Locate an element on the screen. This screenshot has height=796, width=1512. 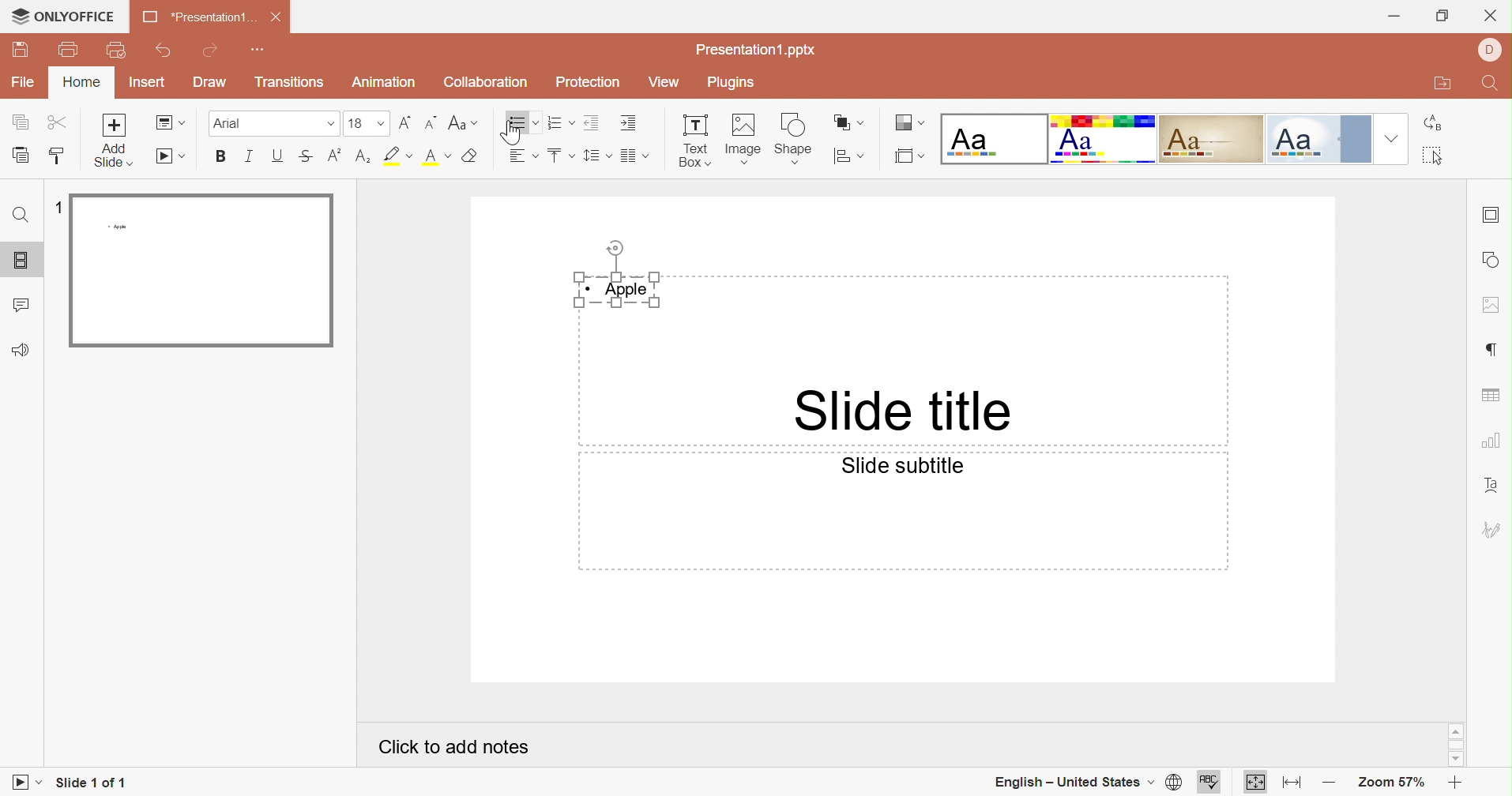
Drop Down is located at coordinates (1390, 138).